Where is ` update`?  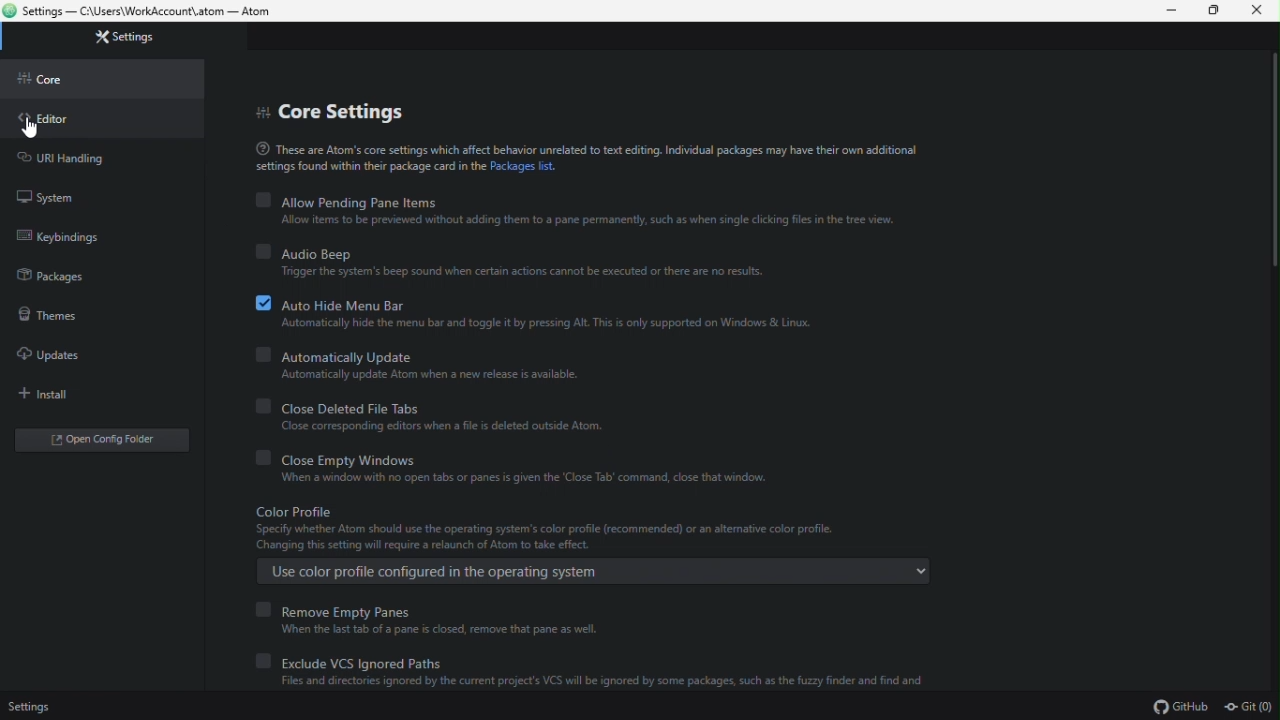
 update is located at coordinates (60, 355).